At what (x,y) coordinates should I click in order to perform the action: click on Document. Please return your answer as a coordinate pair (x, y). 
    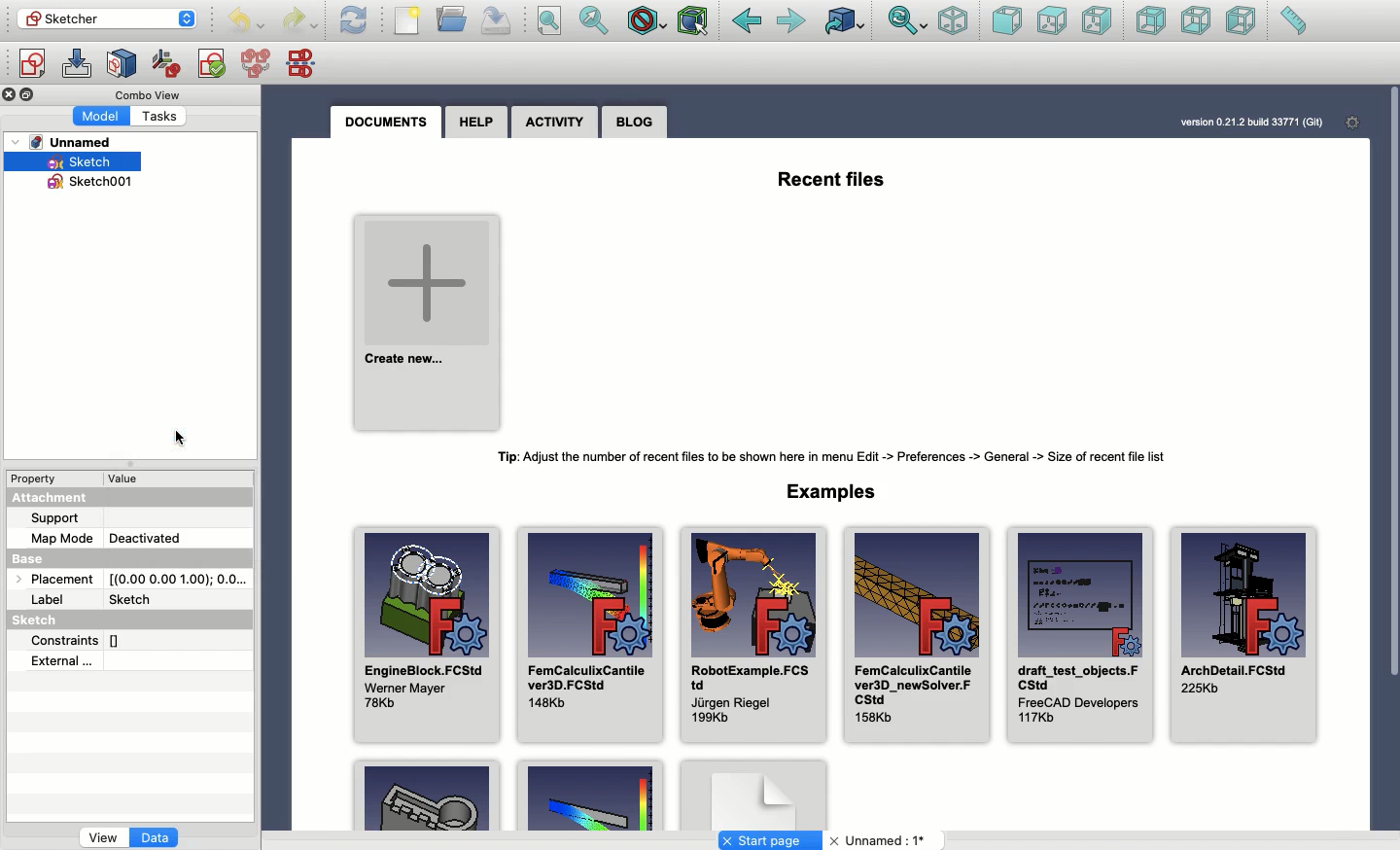
    Looking at the image, I should click on (753, 794).